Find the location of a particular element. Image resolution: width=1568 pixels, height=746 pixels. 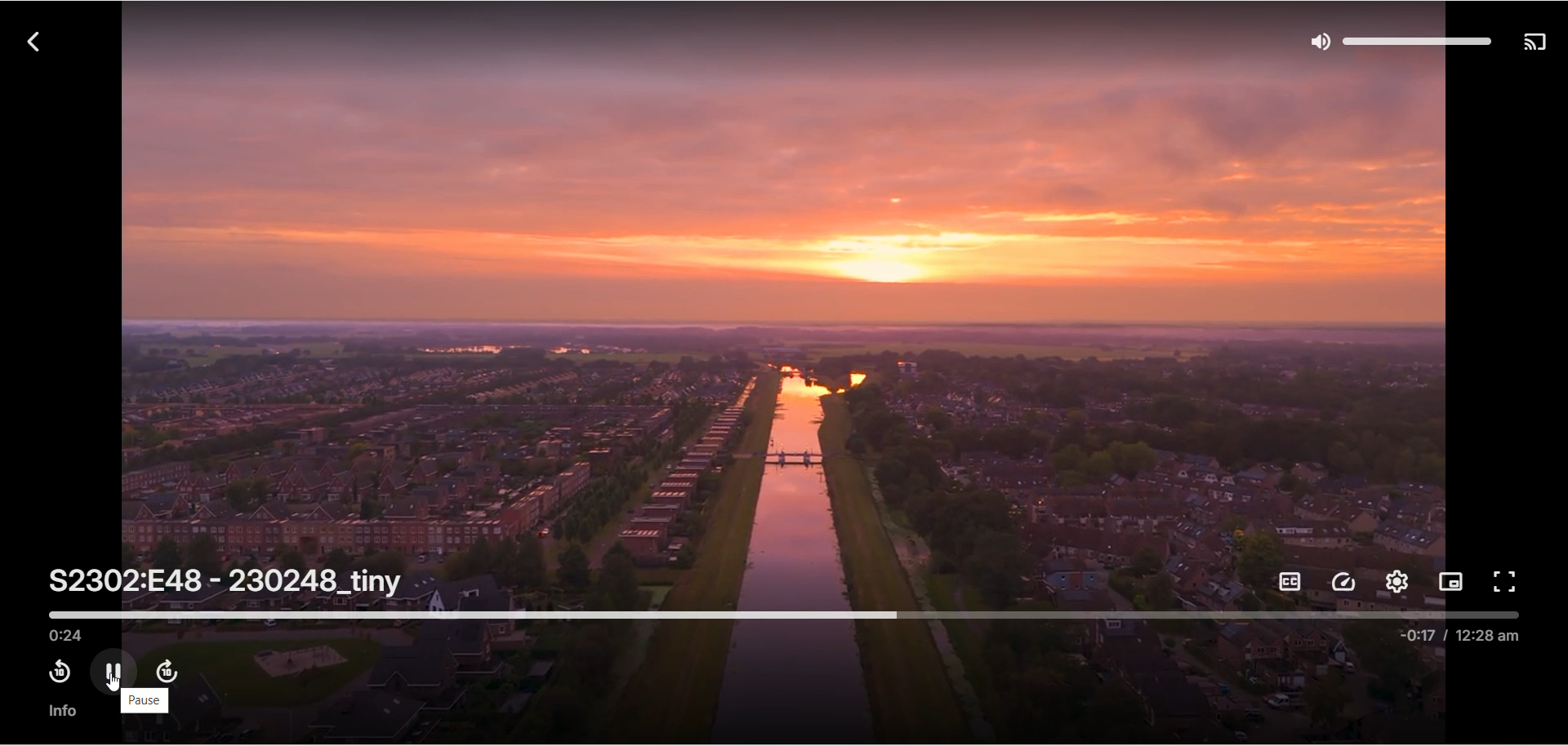

fullscreen is located at coordinates (1508, 581).